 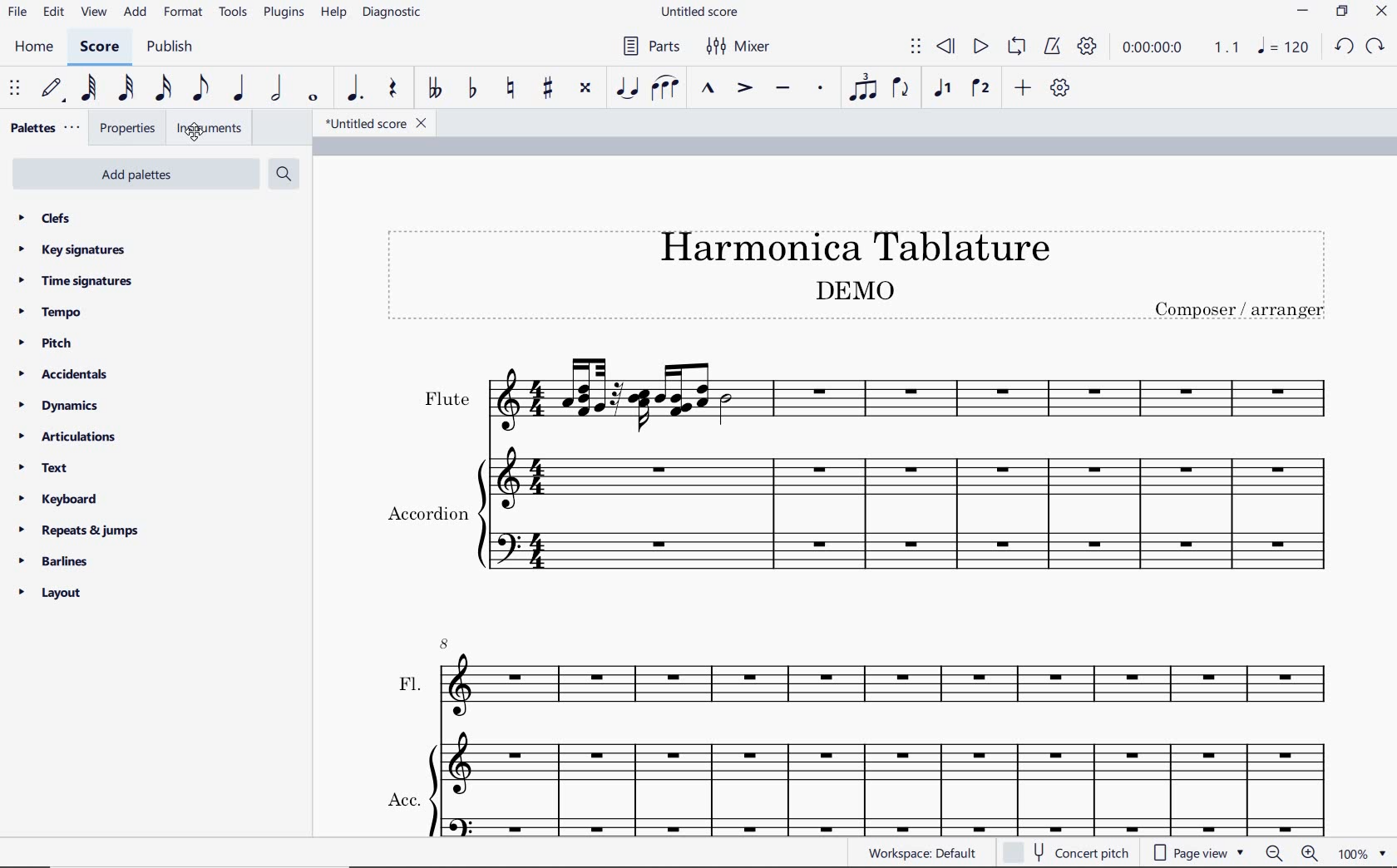 What do you see at coordinates (96, 49) in the screenshot?
I see `SCORE` at bounding box center [96, 49].